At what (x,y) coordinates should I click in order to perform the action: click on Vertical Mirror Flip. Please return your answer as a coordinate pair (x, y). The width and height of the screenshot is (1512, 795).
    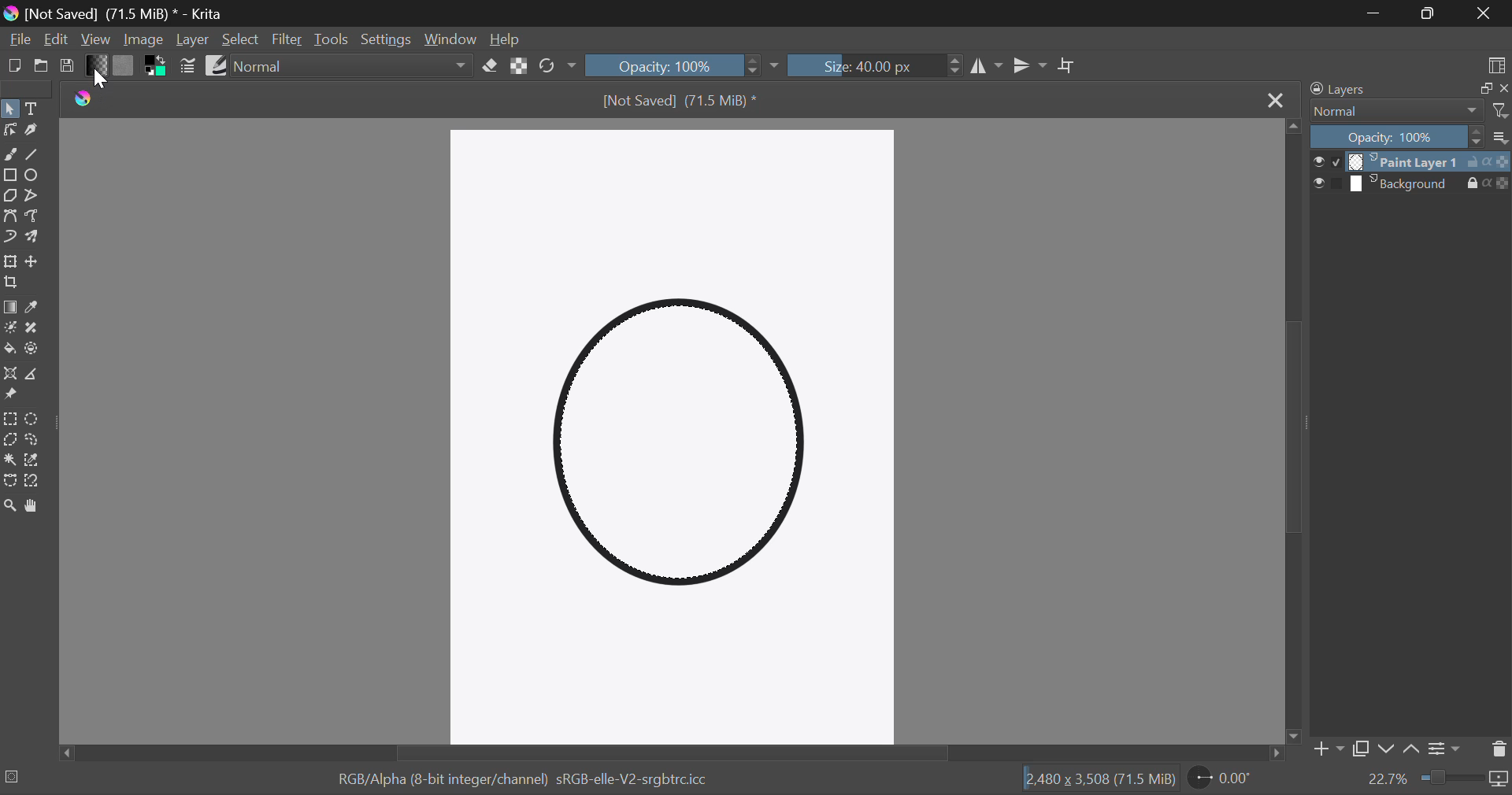
    Looking at the image, I should click on (988, 66).